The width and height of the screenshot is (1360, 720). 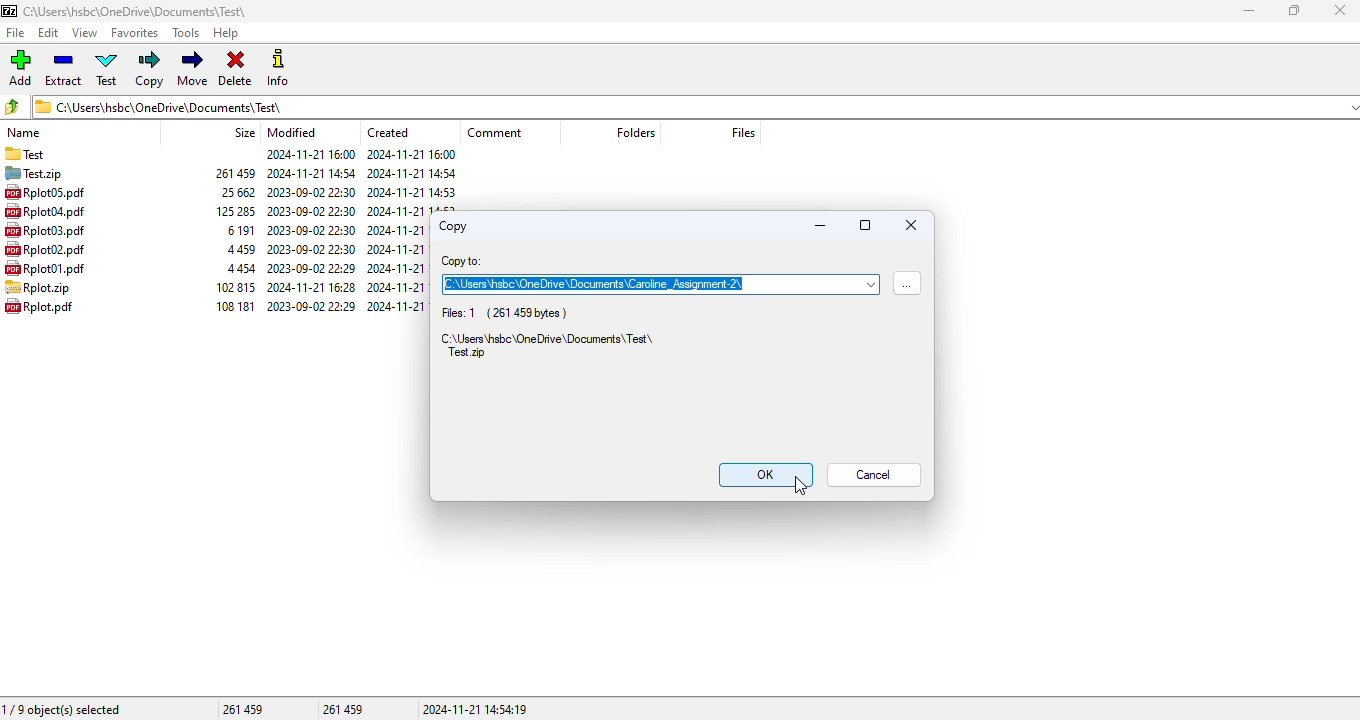 I want to click on modified date & time, so click(x=311, y=306).